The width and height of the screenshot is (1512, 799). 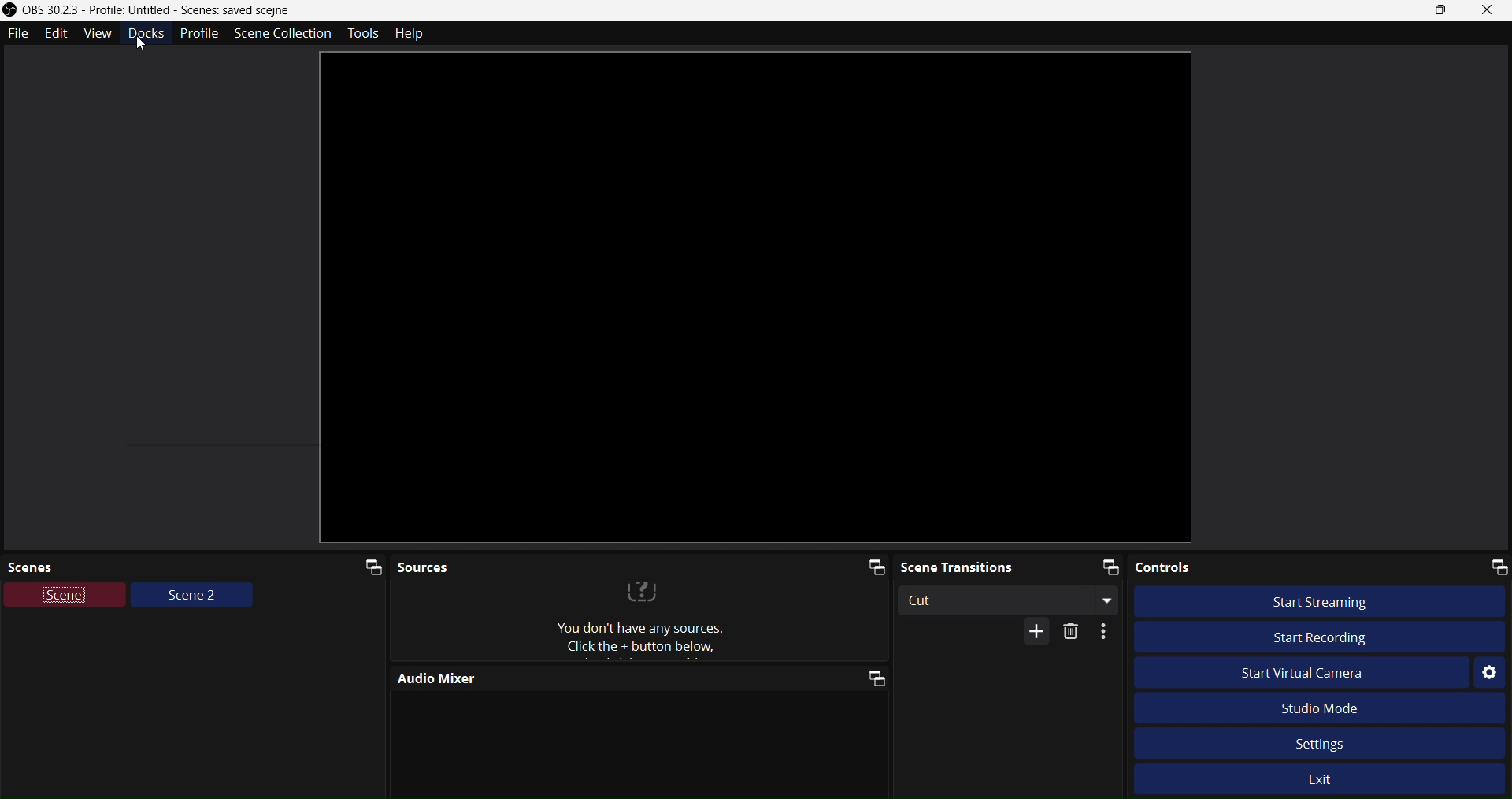 What do you see at coordinates (1314, 634) in the screenshot?
I see `Start Recording` at bounding box center [1314, 634].